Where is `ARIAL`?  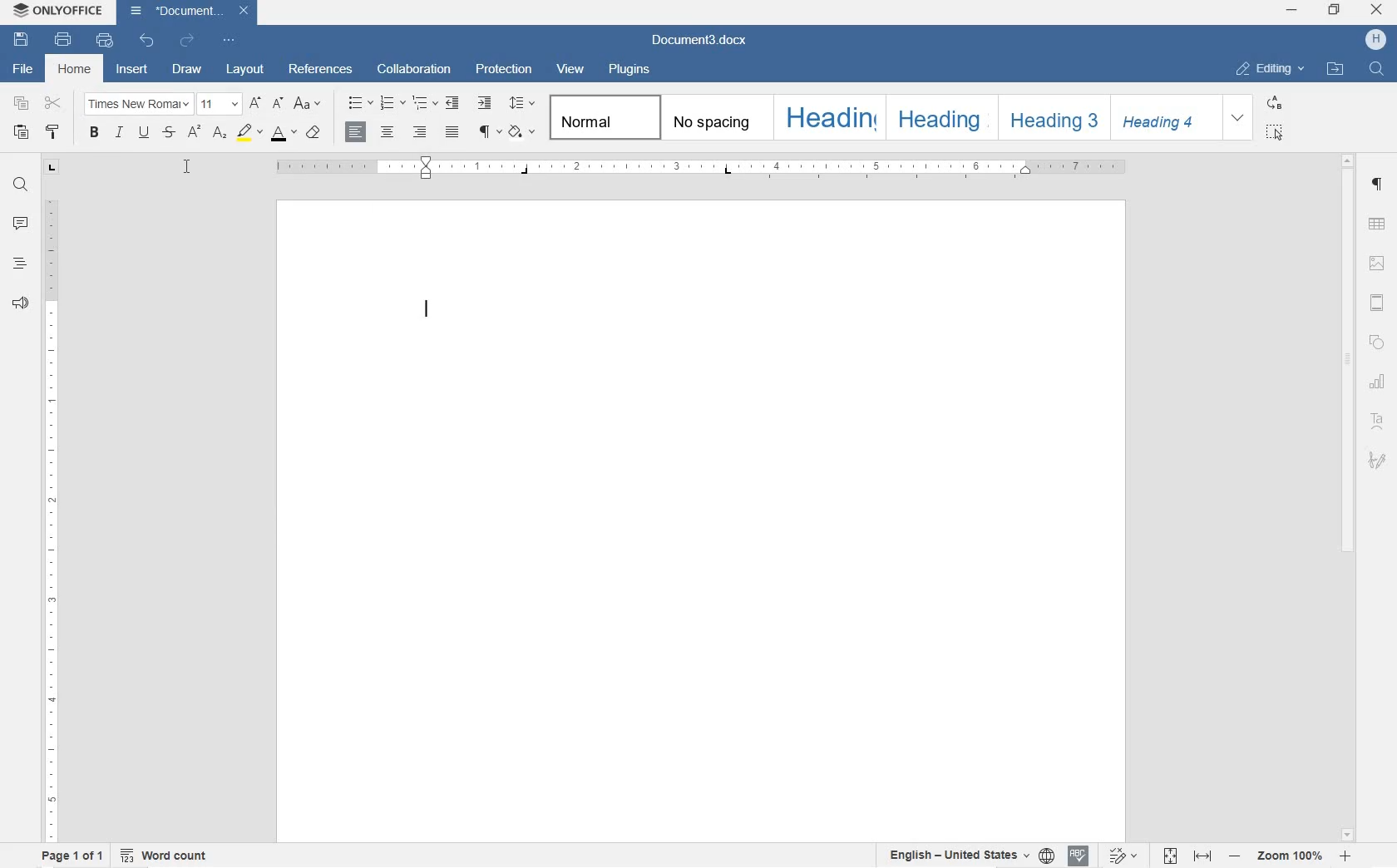
ARIAL is located at coordinates (137, 106).